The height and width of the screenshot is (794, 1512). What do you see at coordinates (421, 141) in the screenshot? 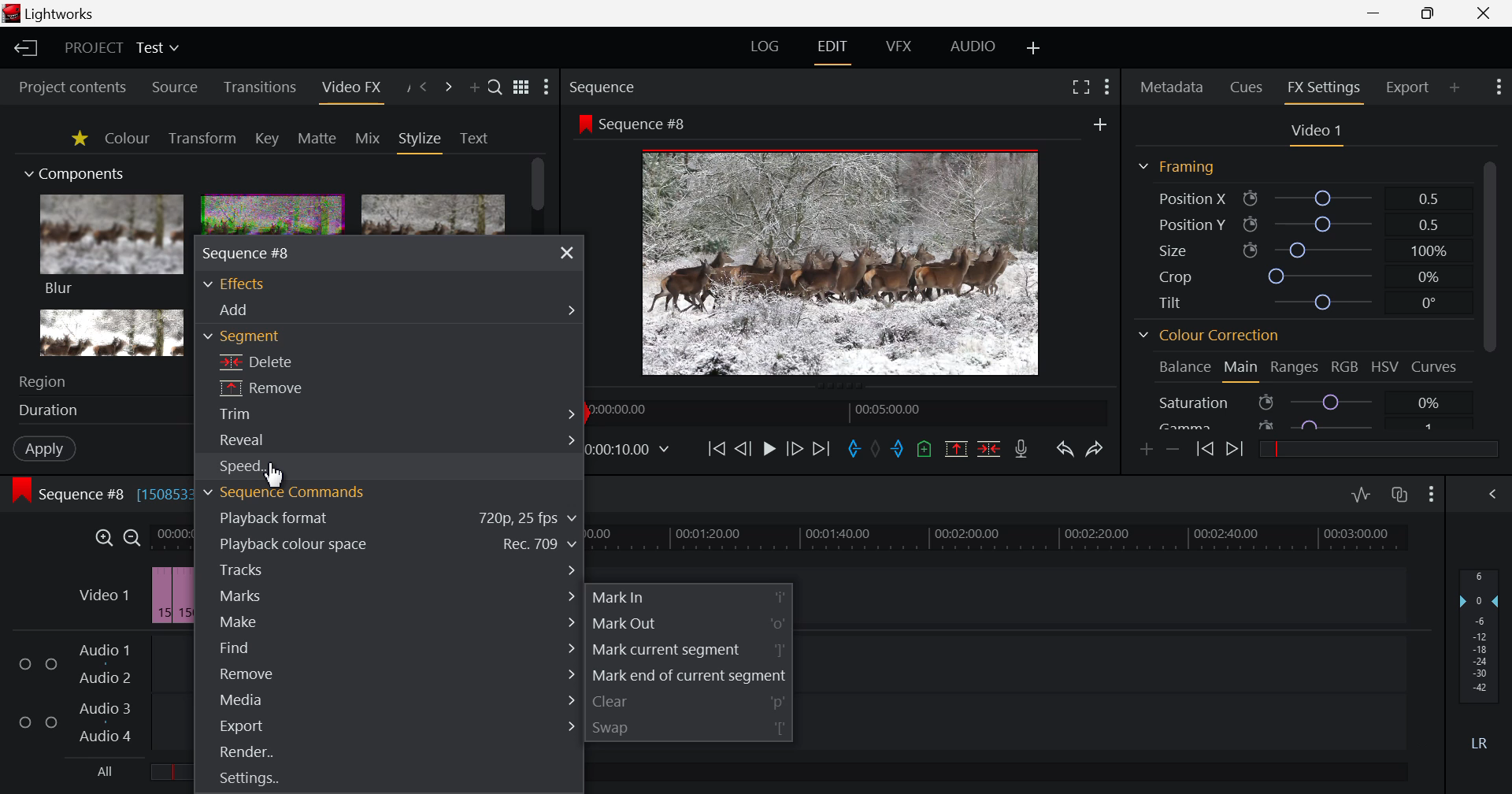
I see `Stylize` at bounding box center [421, 141].